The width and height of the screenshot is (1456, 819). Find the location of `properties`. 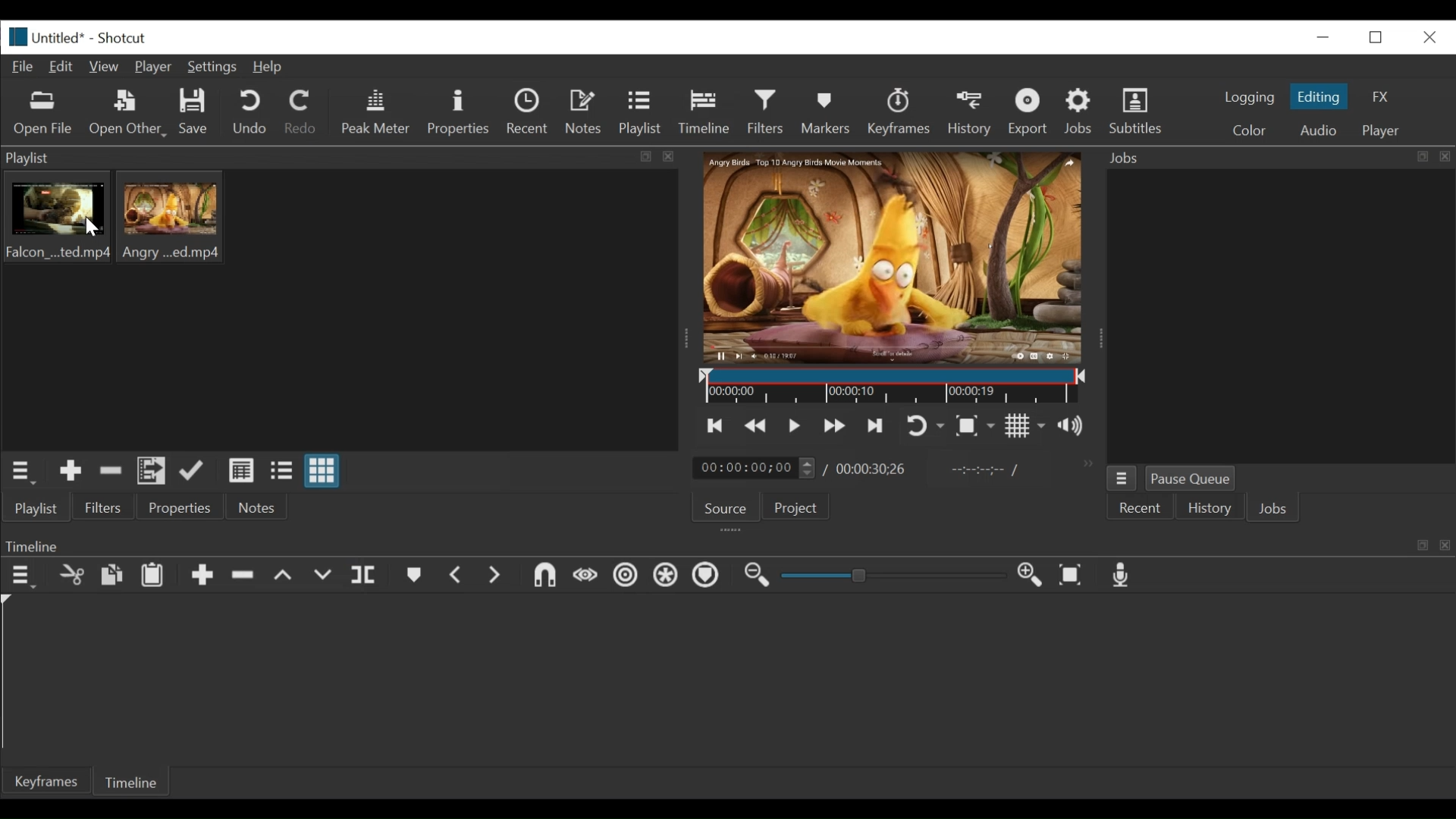

properties is located at coordinates (181, 508).